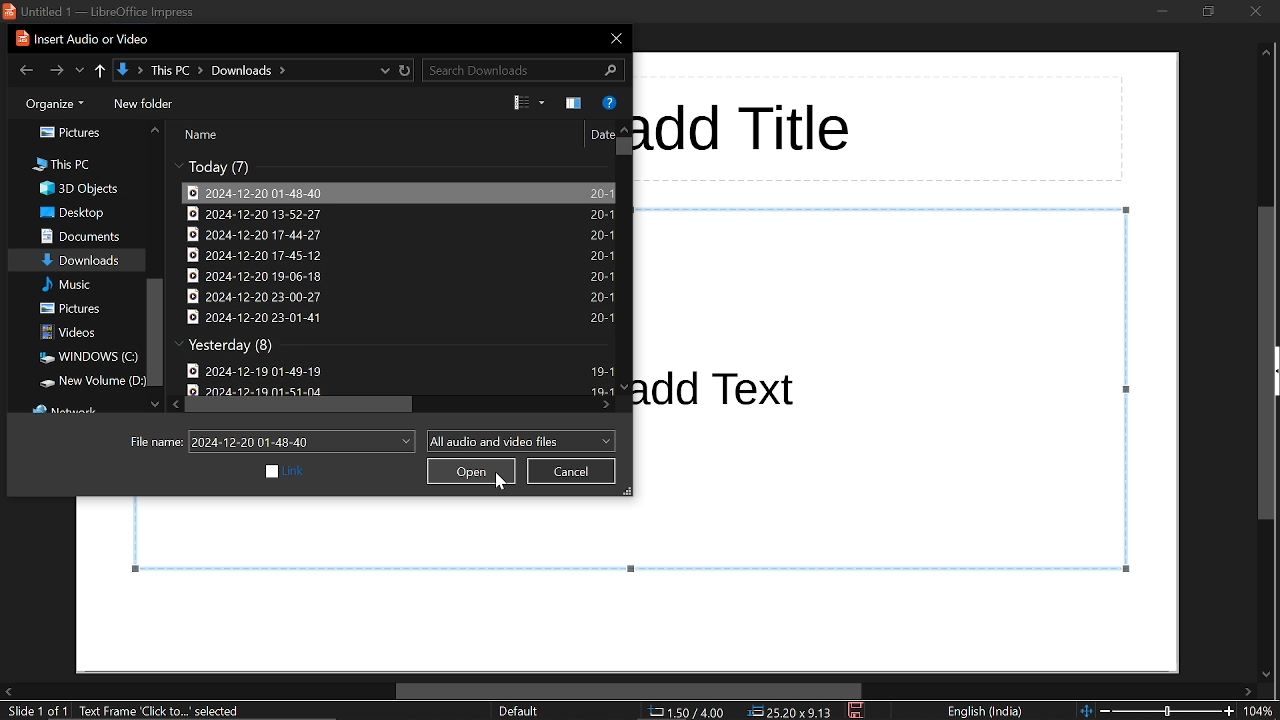  Describe the element at coordinates (399, 297) in the screenshot. I see `file titled "2024-12-20 23-00-27"` at that location.